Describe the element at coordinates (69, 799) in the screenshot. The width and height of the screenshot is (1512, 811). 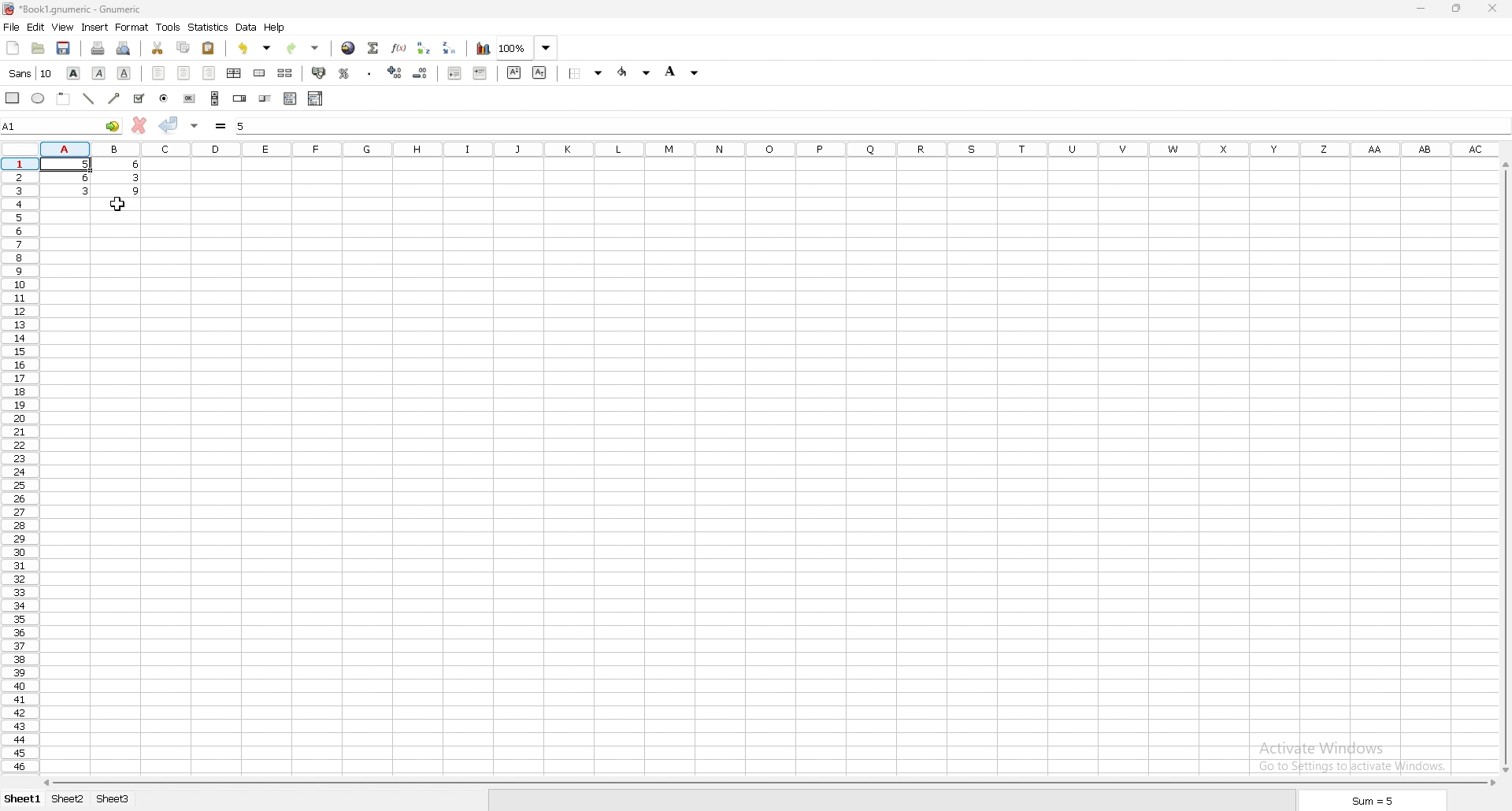
I see `sheet` at that location.